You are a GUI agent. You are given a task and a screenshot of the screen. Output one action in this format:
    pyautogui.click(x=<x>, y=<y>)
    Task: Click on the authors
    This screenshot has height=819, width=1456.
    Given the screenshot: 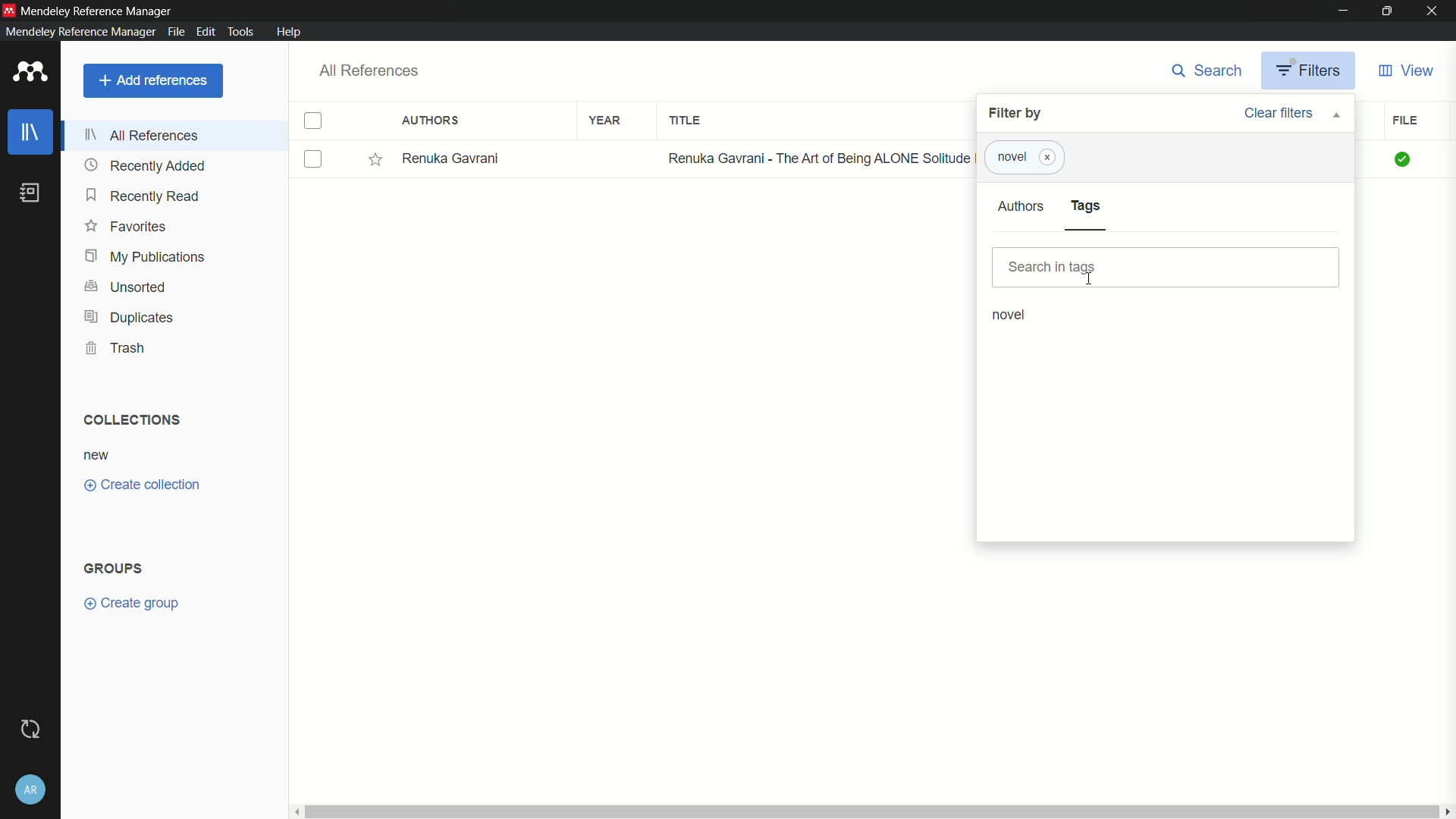 What is the action you would take?
    pyautogui.click(x=430, y=121)
    